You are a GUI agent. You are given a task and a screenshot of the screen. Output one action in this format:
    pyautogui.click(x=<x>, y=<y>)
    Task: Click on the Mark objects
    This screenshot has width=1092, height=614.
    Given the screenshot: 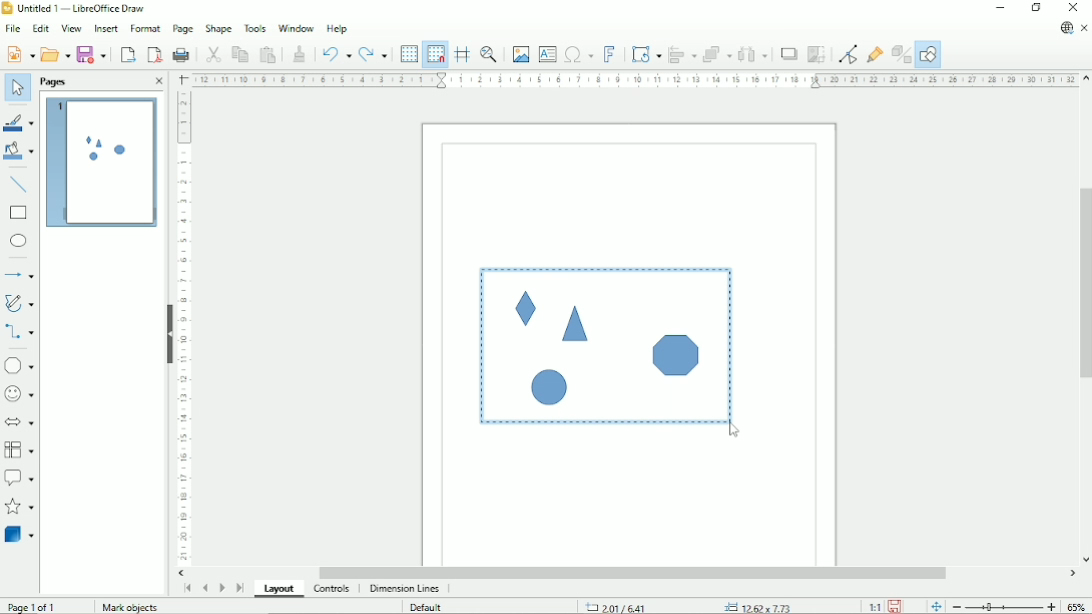 What is the action you would take?
    pyautogui.click(x=128, y=607)
    